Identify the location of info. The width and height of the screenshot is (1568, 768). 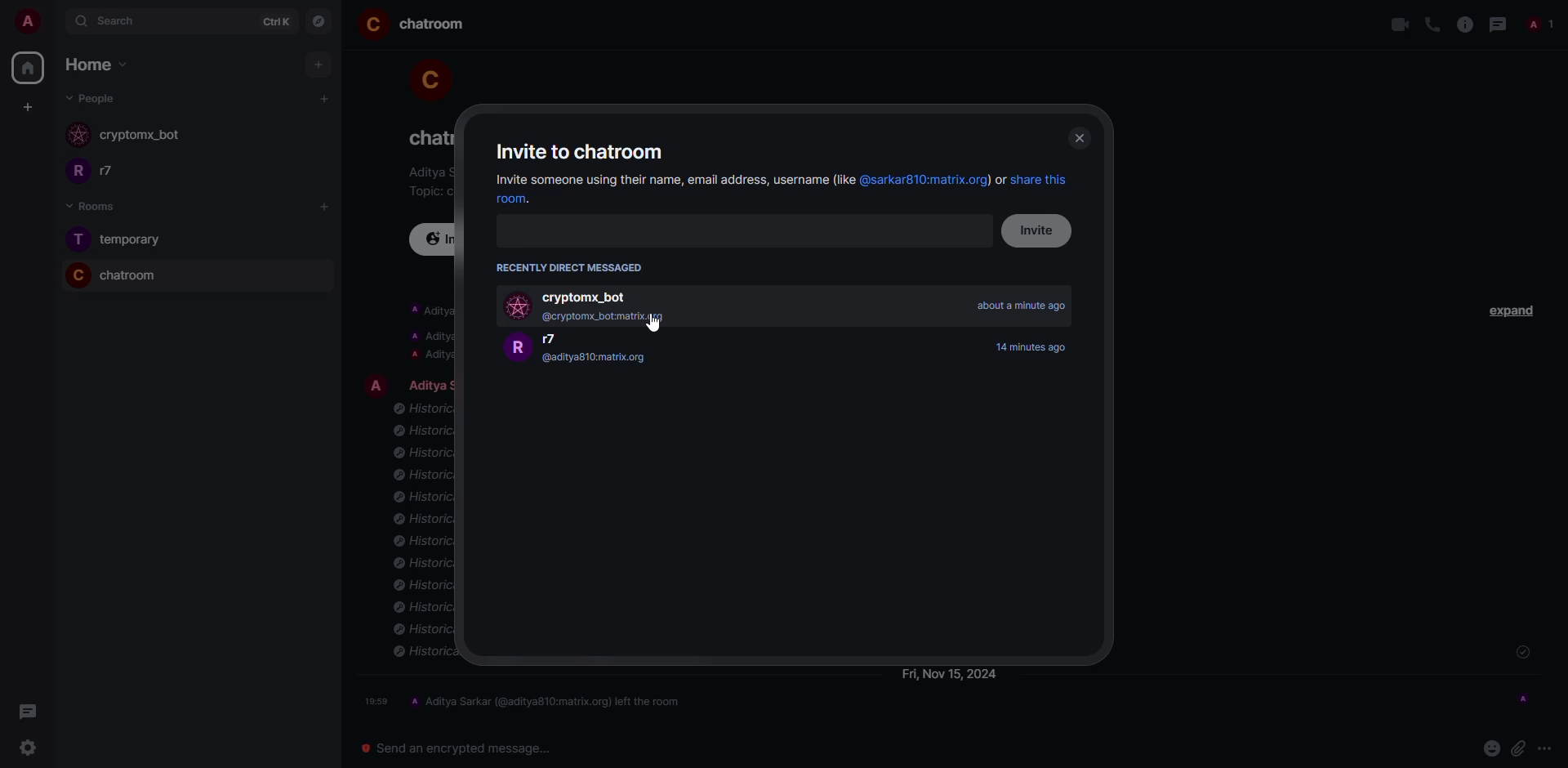
(427, 172).